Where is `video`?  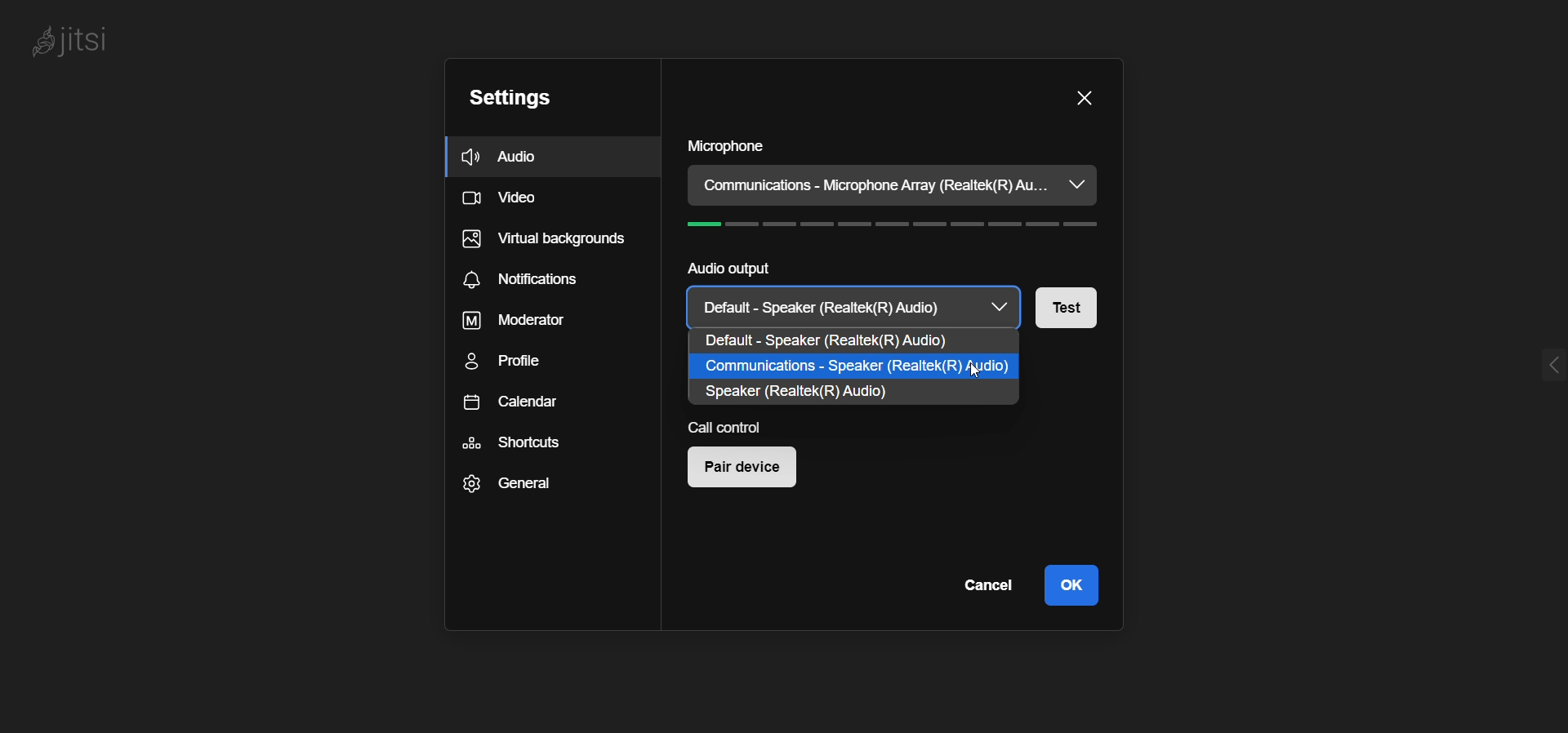 video is located at coordinates (505, 201).